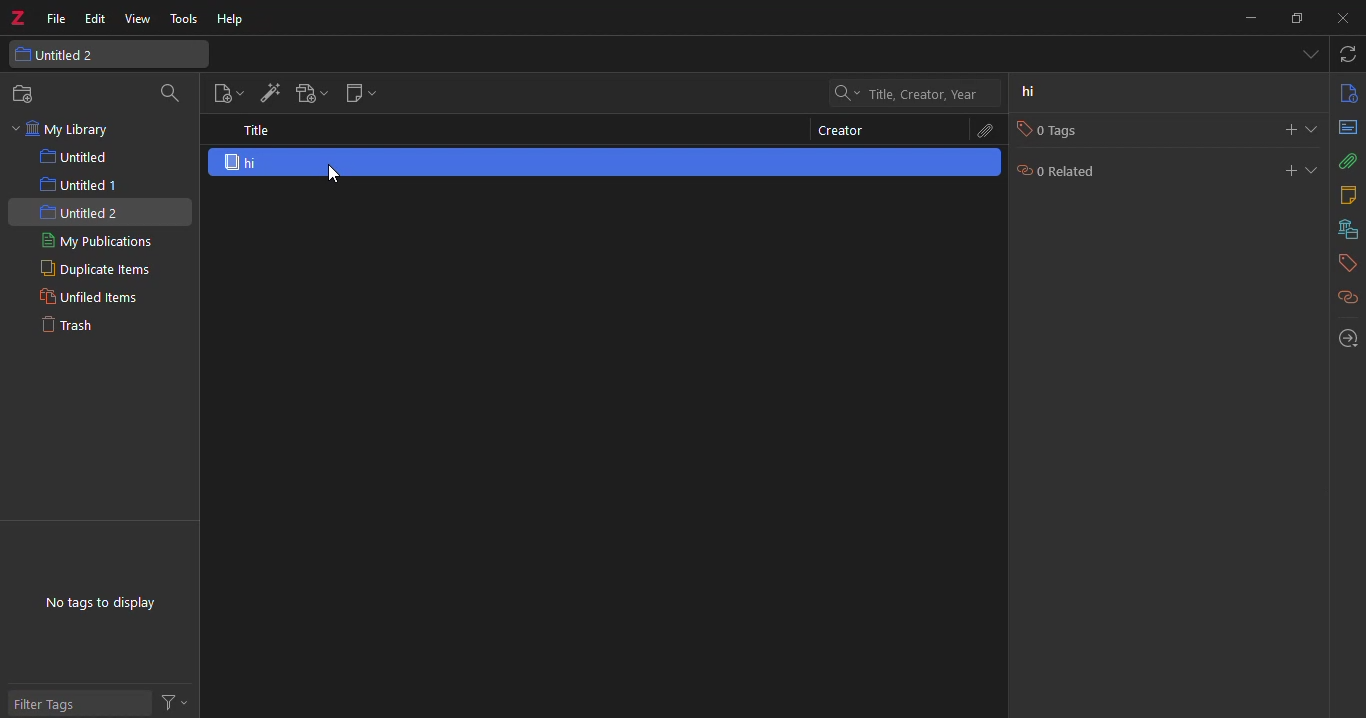  What do you see at coordinates (91, 269) in the screenshot?
I see `duplicate items` at bounding box center [91, 269].